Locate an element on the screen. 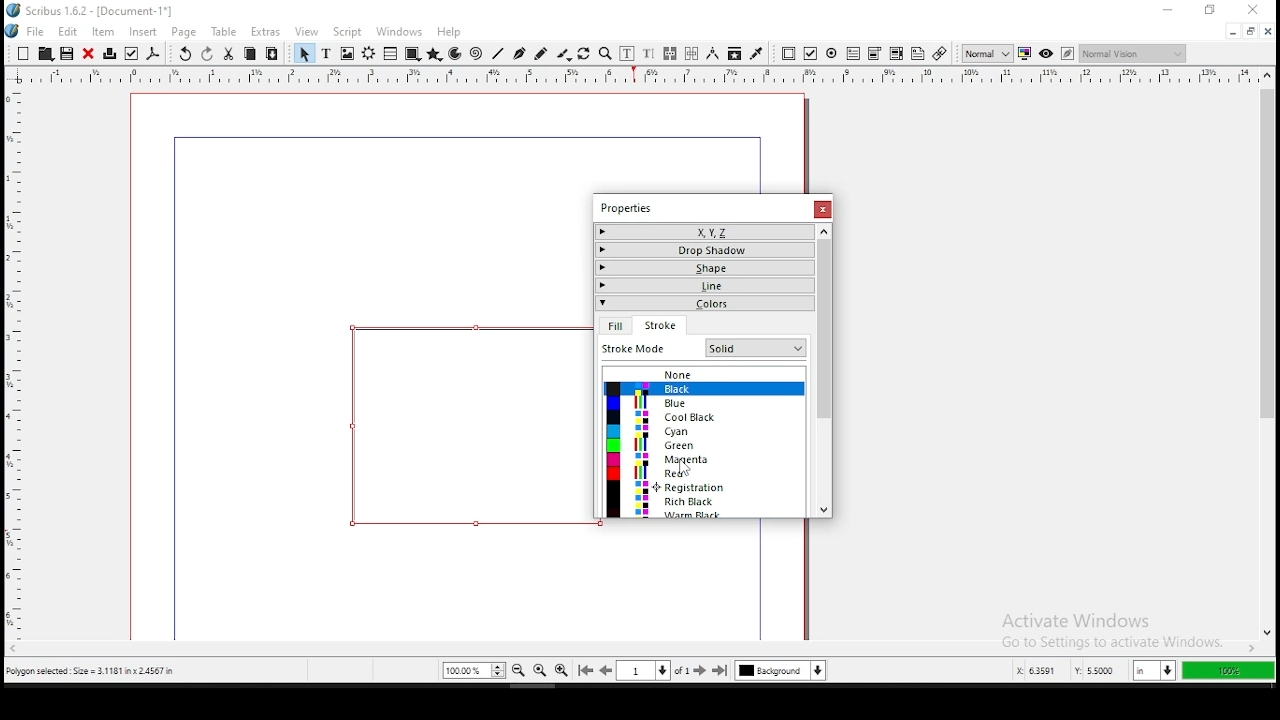 The height and width of the screenshot is (720, 1280). Cursor is located at coordinates (685, 469).